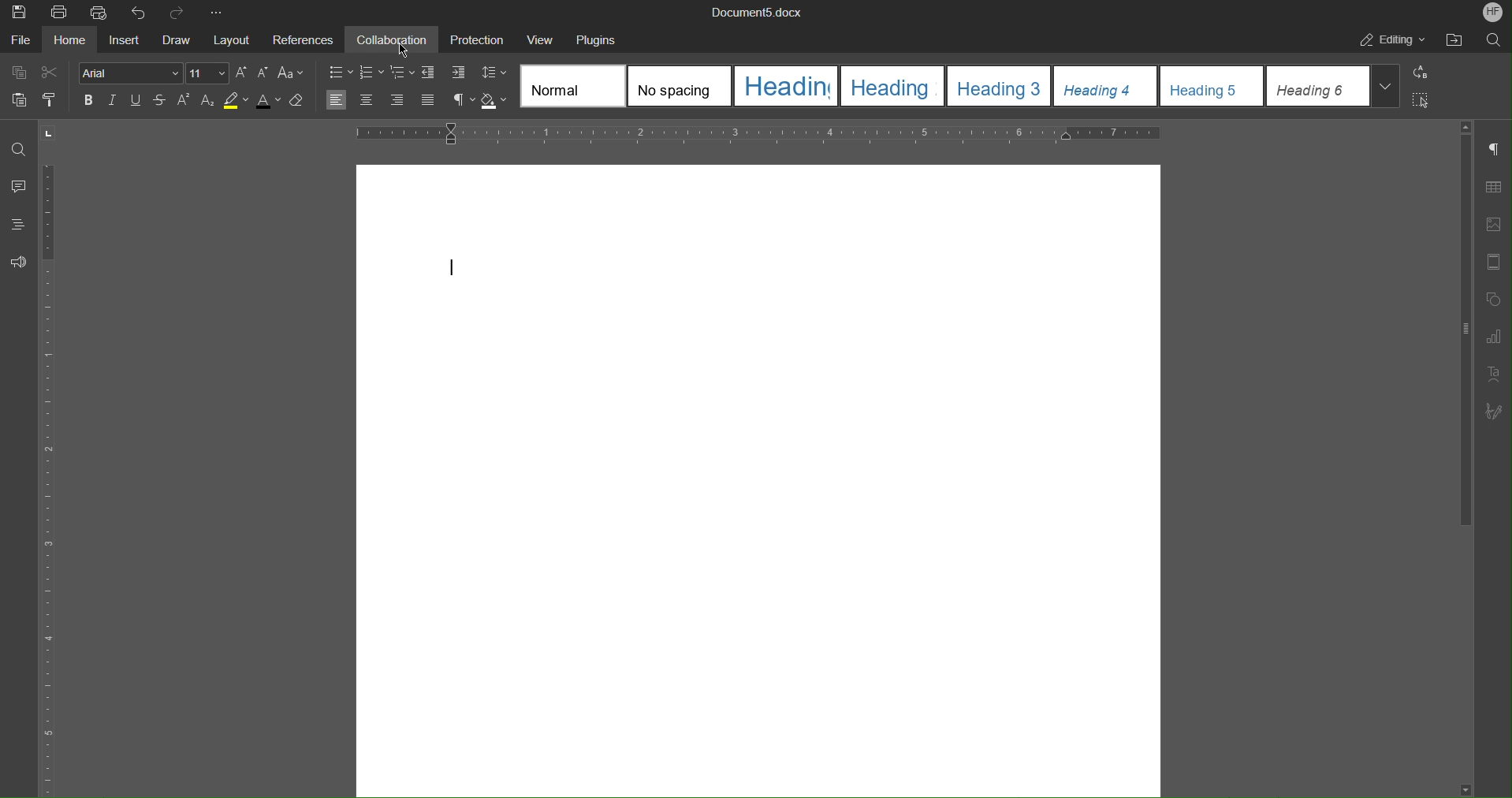  What do you see at coordinates (1492, 267) in the screenshot?
I see `Header/Footer` at bounding box center [1492, 267].